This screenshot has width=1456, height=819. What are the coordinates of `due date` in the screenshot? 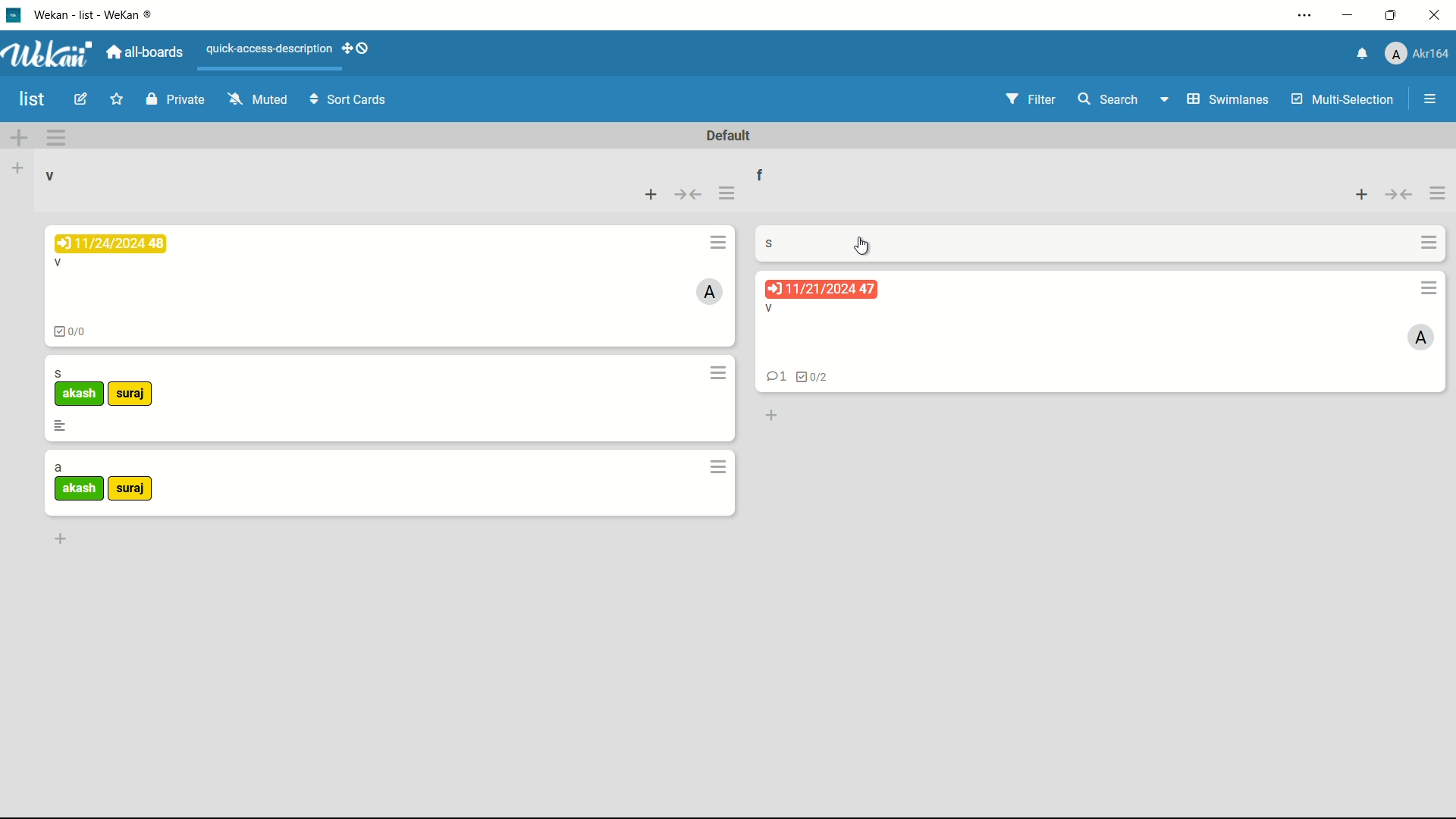 It's located at (822, 290).